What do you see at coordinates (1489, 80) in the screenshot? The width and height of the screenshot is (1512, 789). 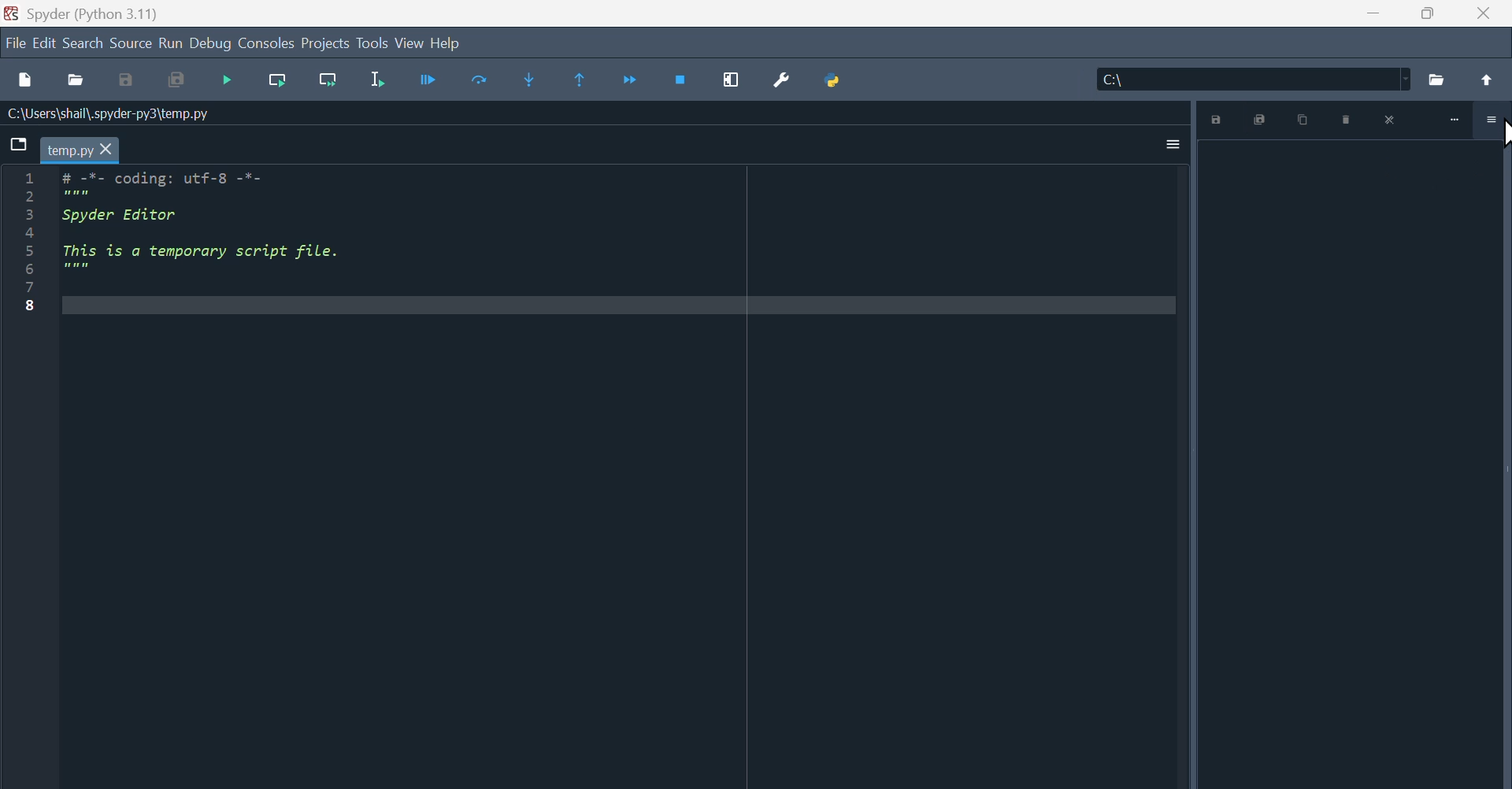 I see `Up` at bounding box center [1489, 80].